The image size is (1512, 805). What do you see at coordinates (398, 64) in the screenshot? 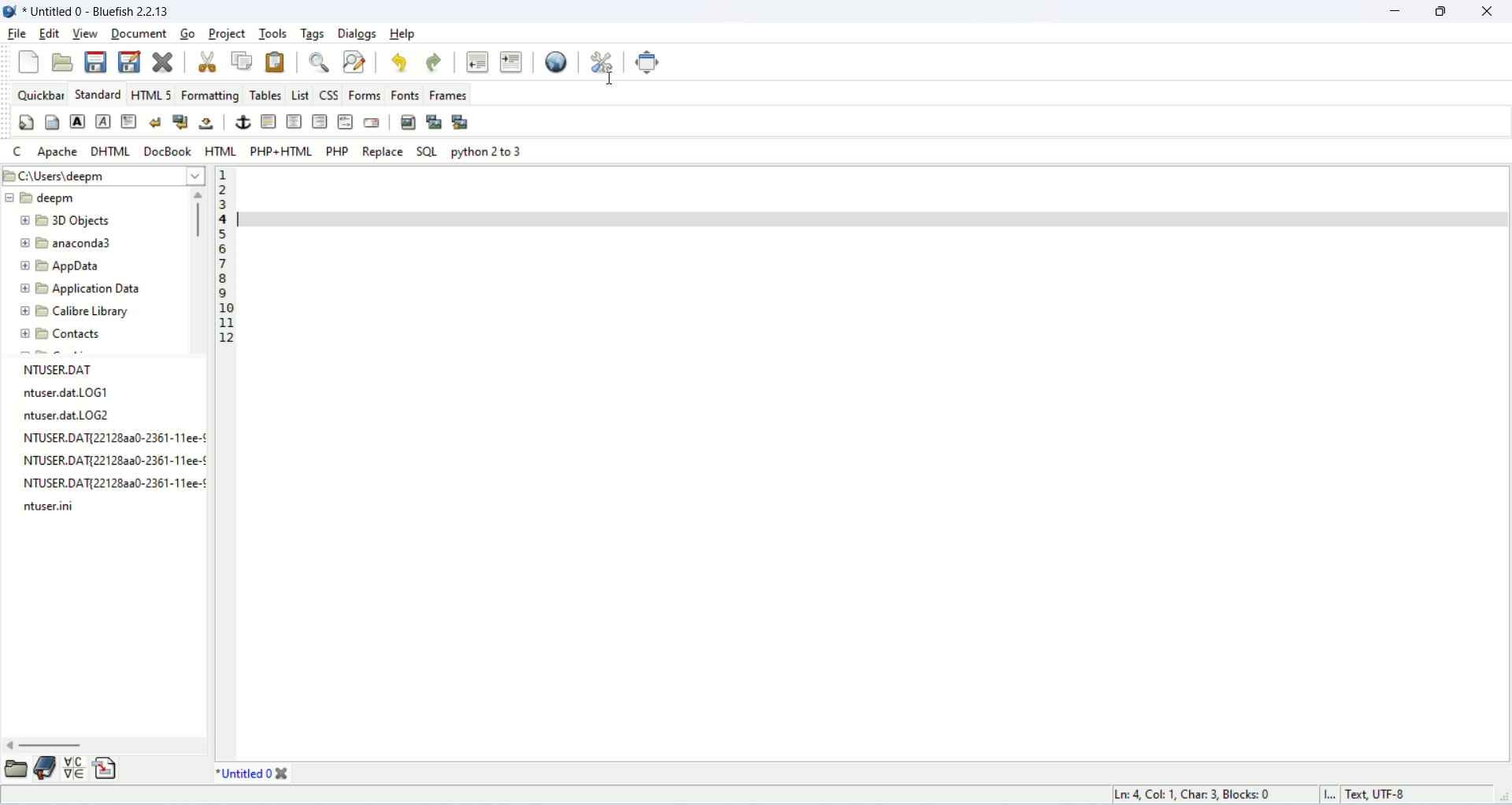
I see `undo` at bounding box center [398, 64].